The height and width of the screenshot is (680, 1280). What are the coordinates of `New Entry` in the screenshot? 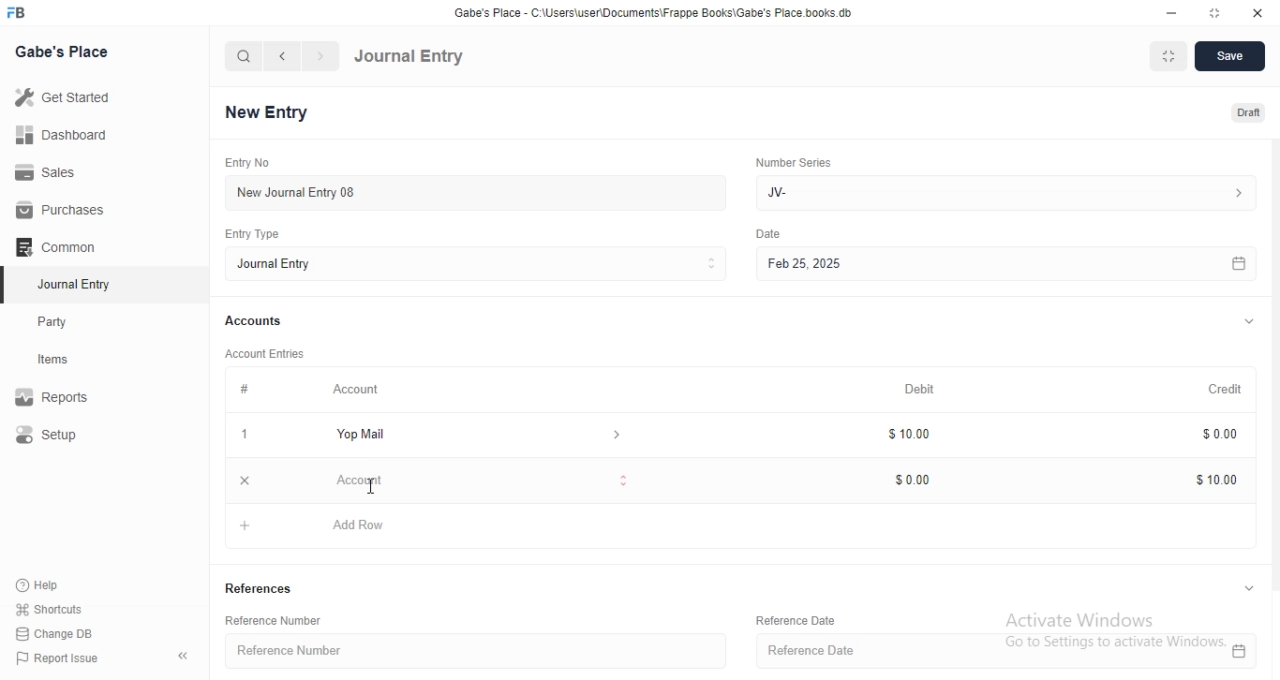 It's located at (266, 111).